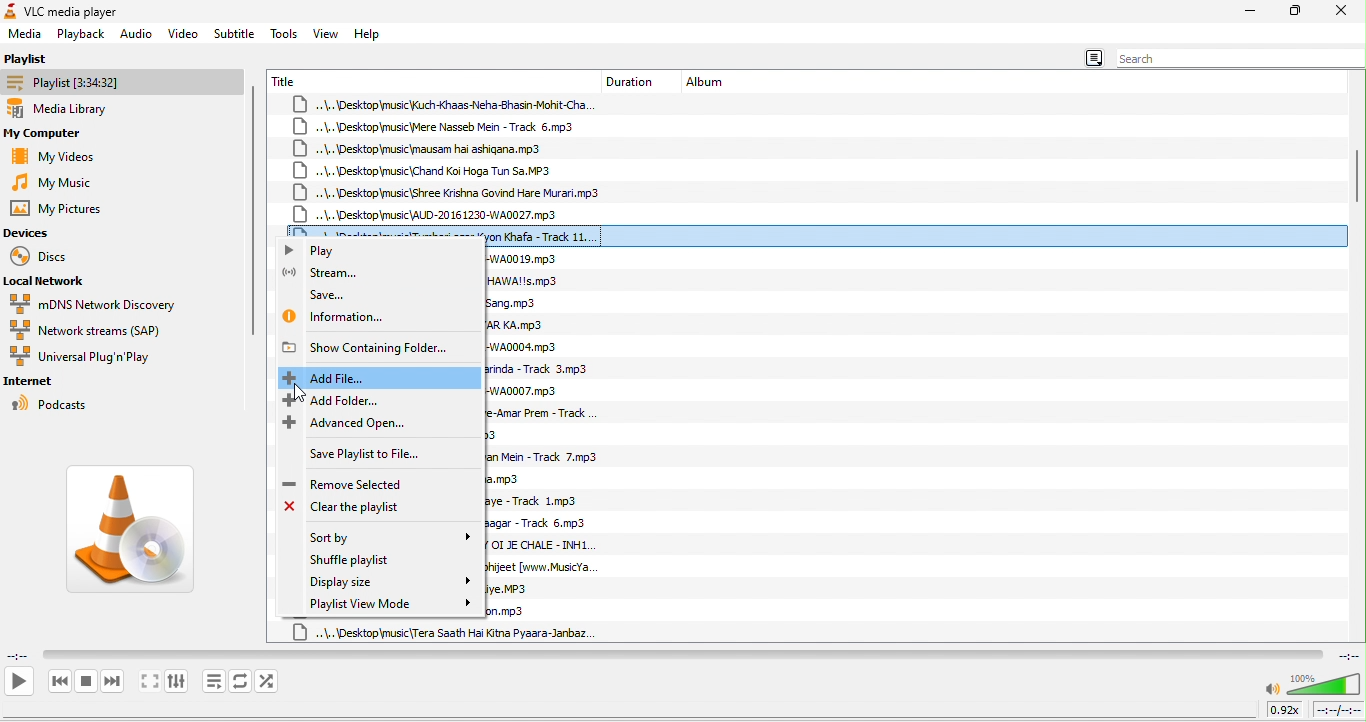 The width and height of the screenshot is (1366, 722). I want to click on icon, so click(10, 11).